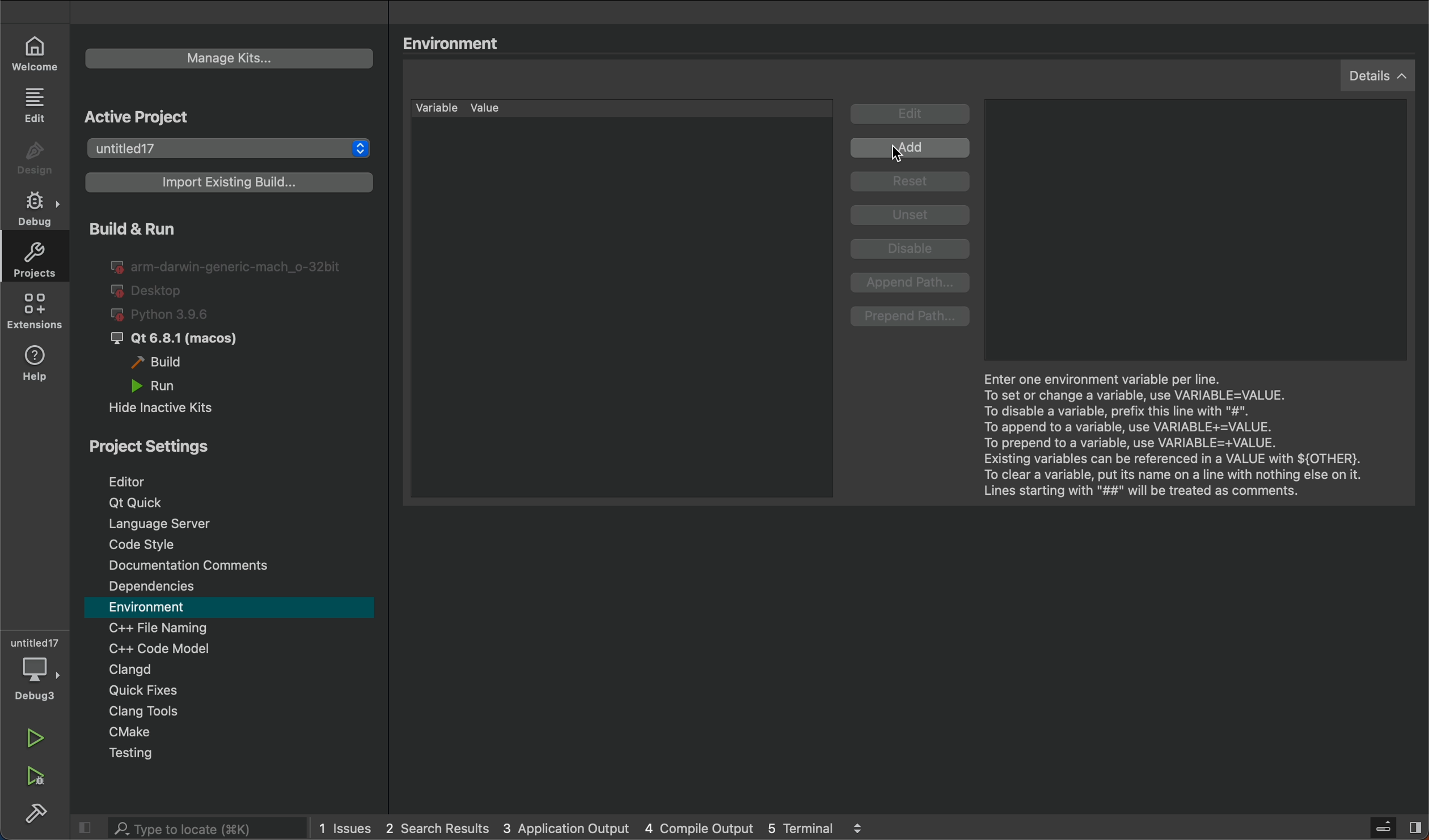 The height and width of the screenshot is (840, 1429). What do you see at coordinates (912, 283) in the screenshot?
I see `append` at bounding box center [912, 283].